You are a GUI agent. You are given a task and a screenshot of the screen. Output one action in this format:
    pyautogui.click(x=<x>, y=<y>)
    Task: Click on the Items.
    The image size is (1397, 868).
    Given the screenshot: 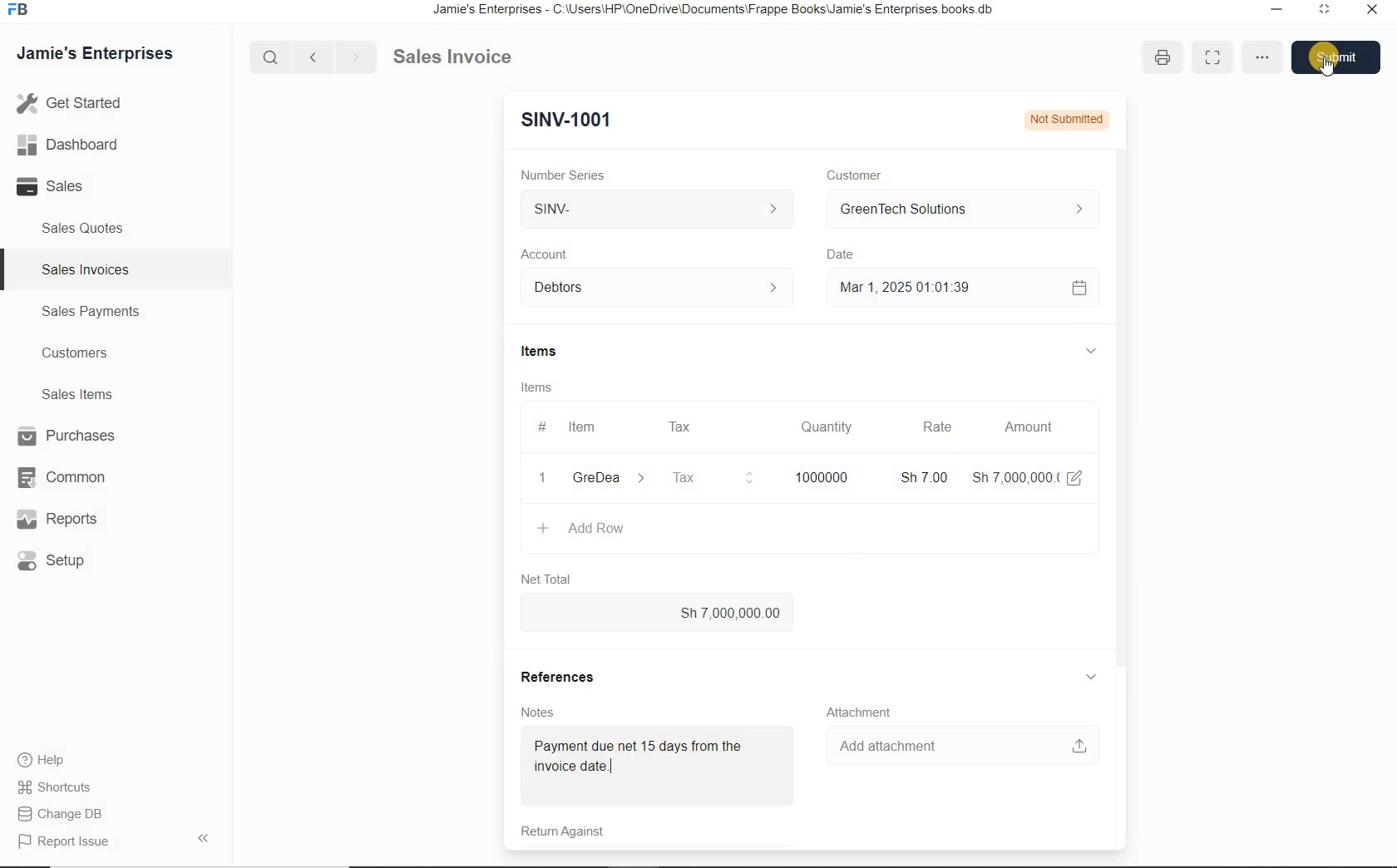 What is the action you would take?
    pyautogui.click(x=536, y=387)
    